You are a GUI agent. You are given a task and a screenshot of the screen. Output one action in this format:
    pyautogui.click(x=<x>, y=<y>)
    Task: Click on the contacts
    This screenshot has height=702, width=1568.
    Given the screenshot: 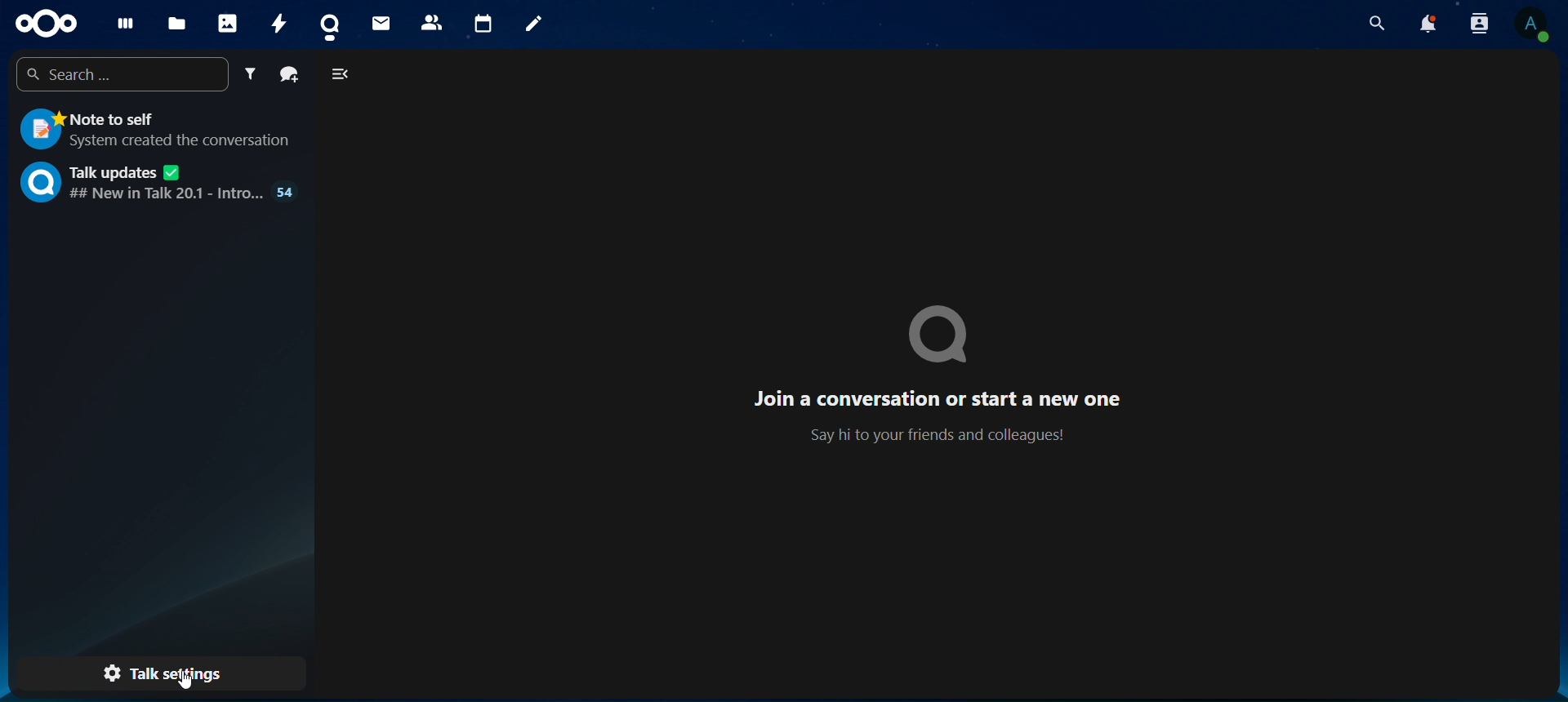 What is the action you would take?
    pyautogui.click(x=1481, y=25)
    